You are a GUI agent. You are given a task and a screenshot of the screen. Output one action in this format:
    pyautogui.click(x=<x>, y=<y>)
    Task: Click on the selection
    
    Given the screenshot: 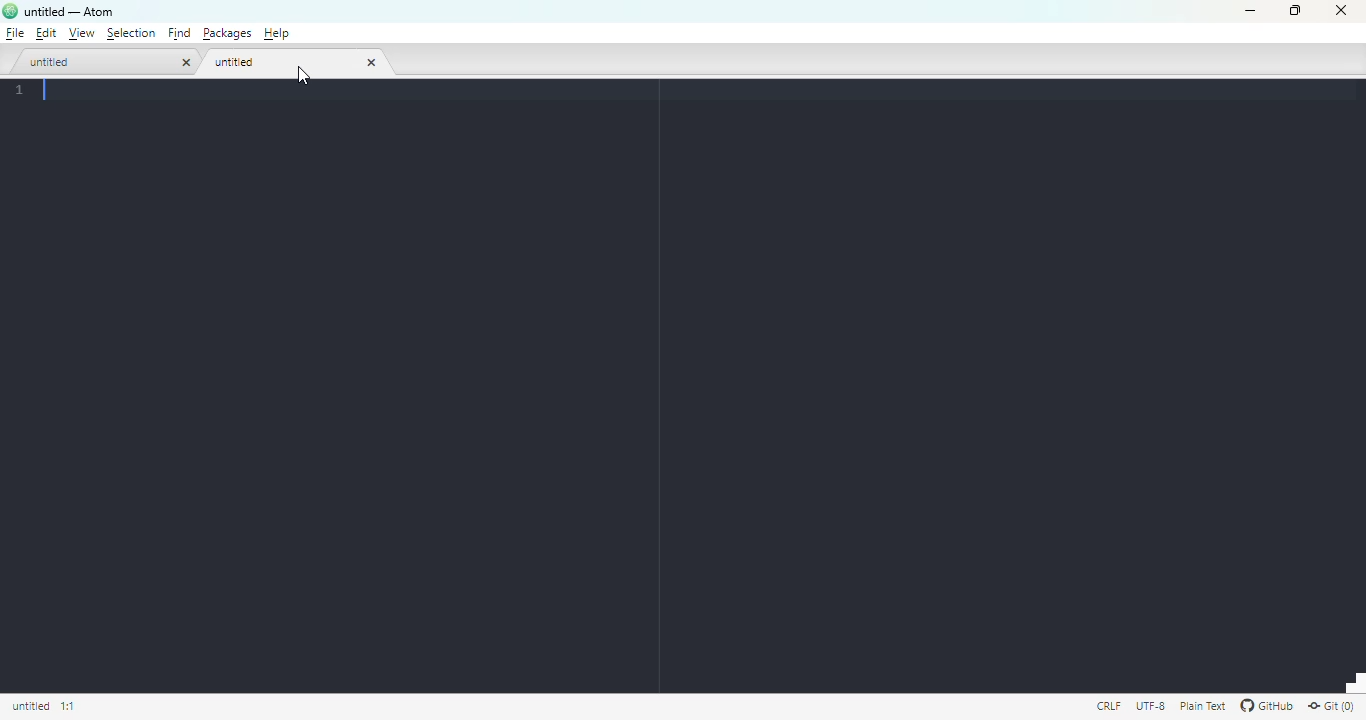 What is the action you would take?
    pyautogui.click(x=133, y=34)
    